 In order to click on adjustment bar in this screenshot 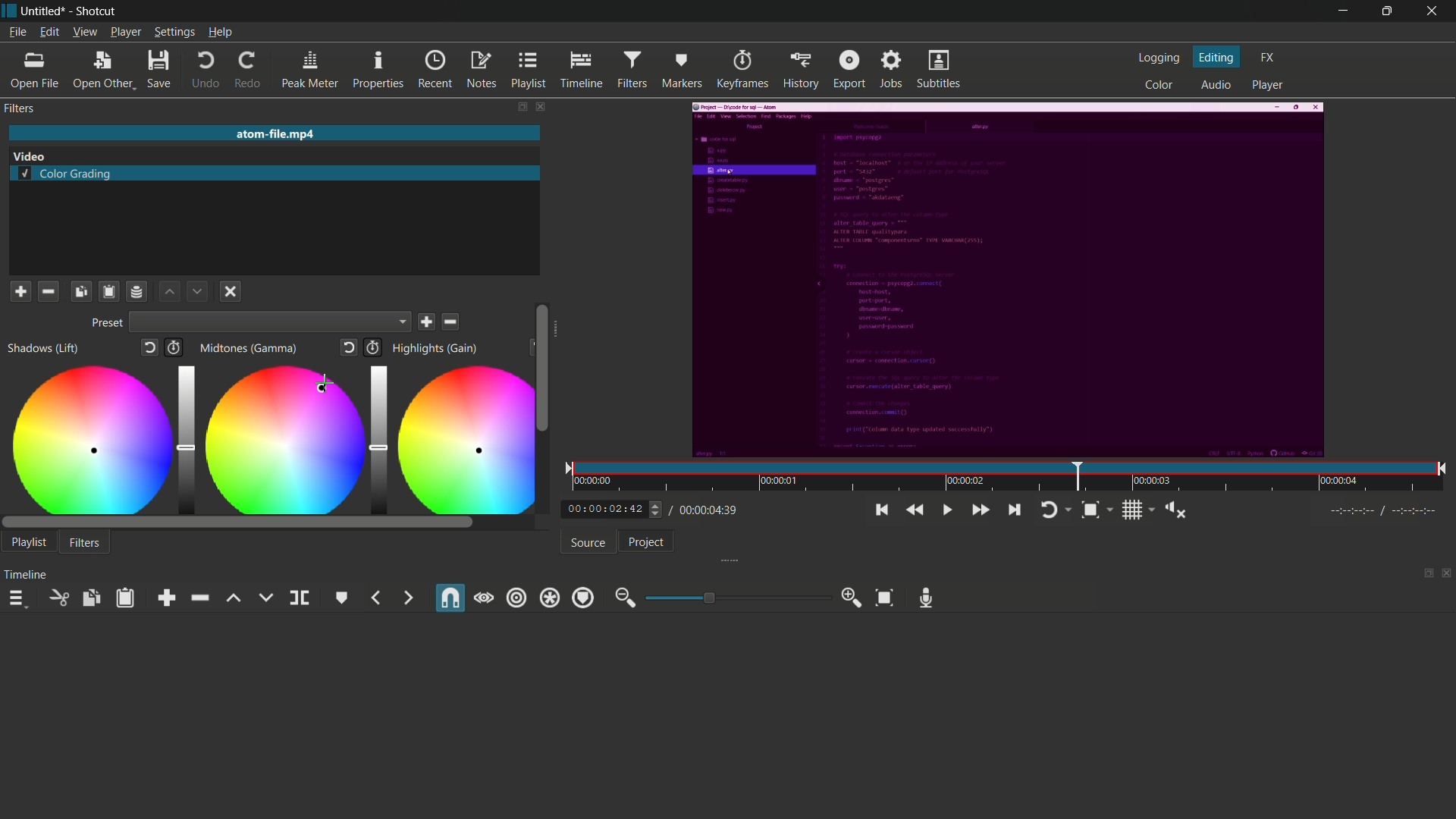, I will do `click(734, 598)`.